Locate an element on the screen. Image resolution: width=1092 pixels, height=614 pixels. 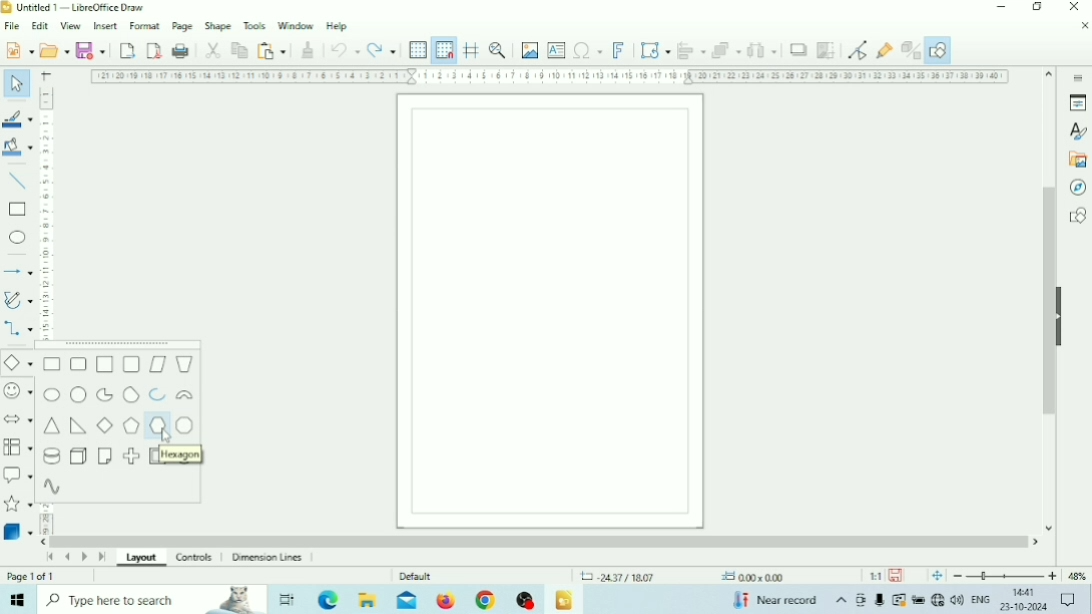
LibreOffice Draw is located at coordinates (564, 601).